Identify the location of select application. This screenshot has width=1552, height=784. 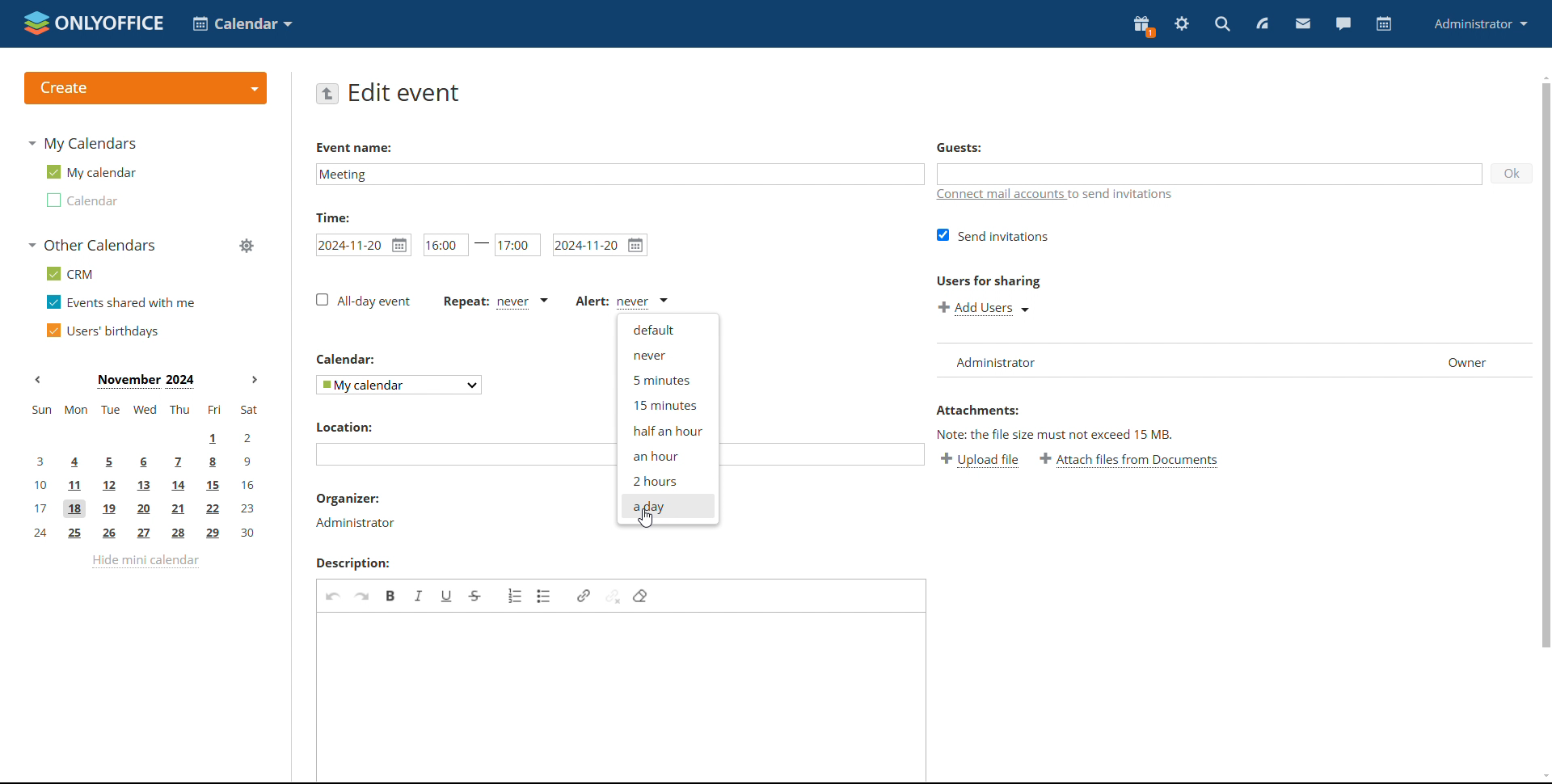
(242, 23).